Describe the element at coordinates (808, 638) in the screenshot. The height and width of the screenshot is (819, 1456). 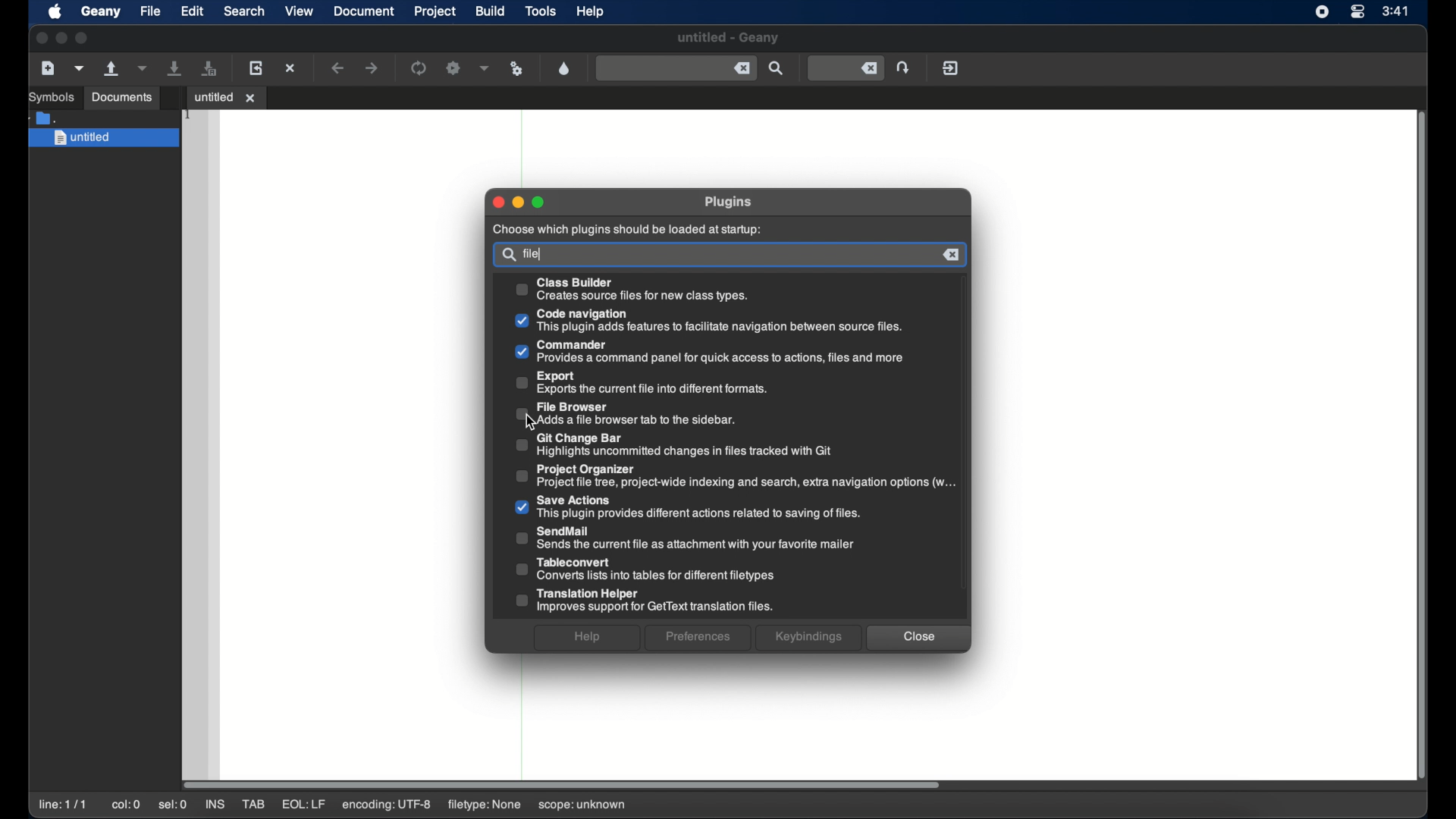
I see `` at that location.